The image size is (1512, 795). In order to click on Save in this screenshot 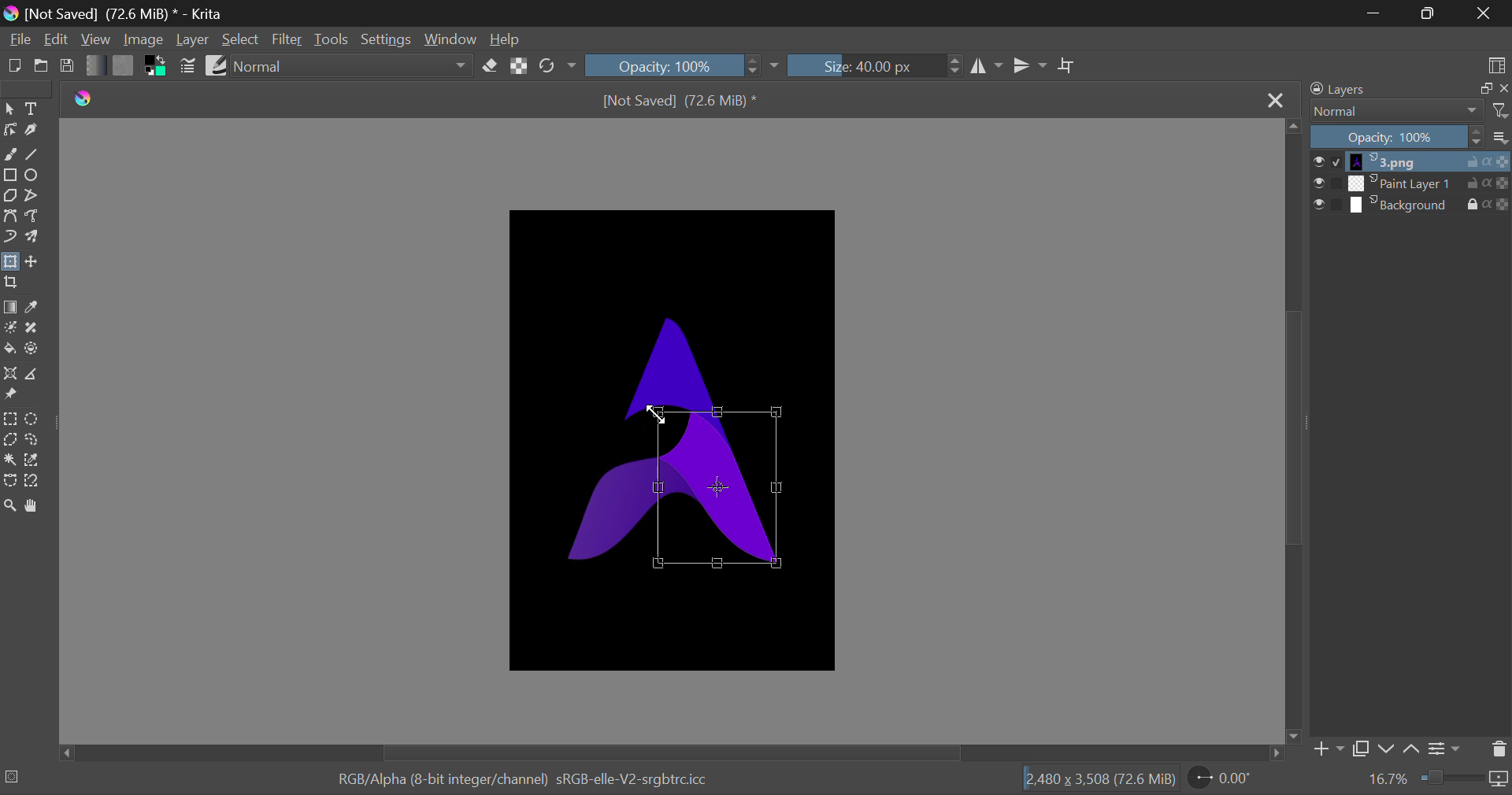, I will do `click(68, 65)`.